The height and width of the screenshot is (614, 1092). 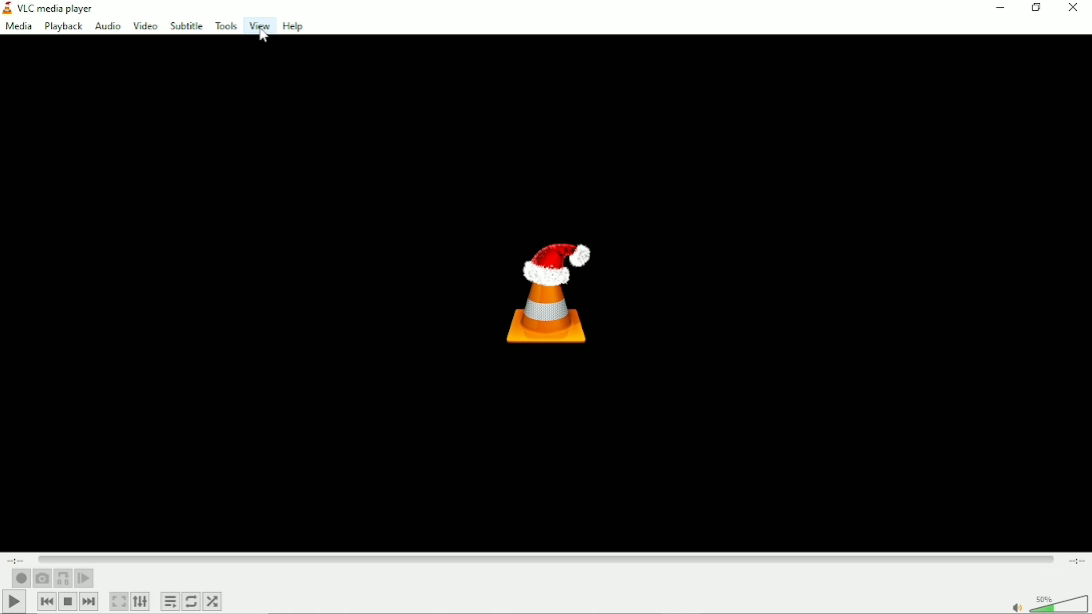 I want to click on Audio, so click(x=107, y=26).